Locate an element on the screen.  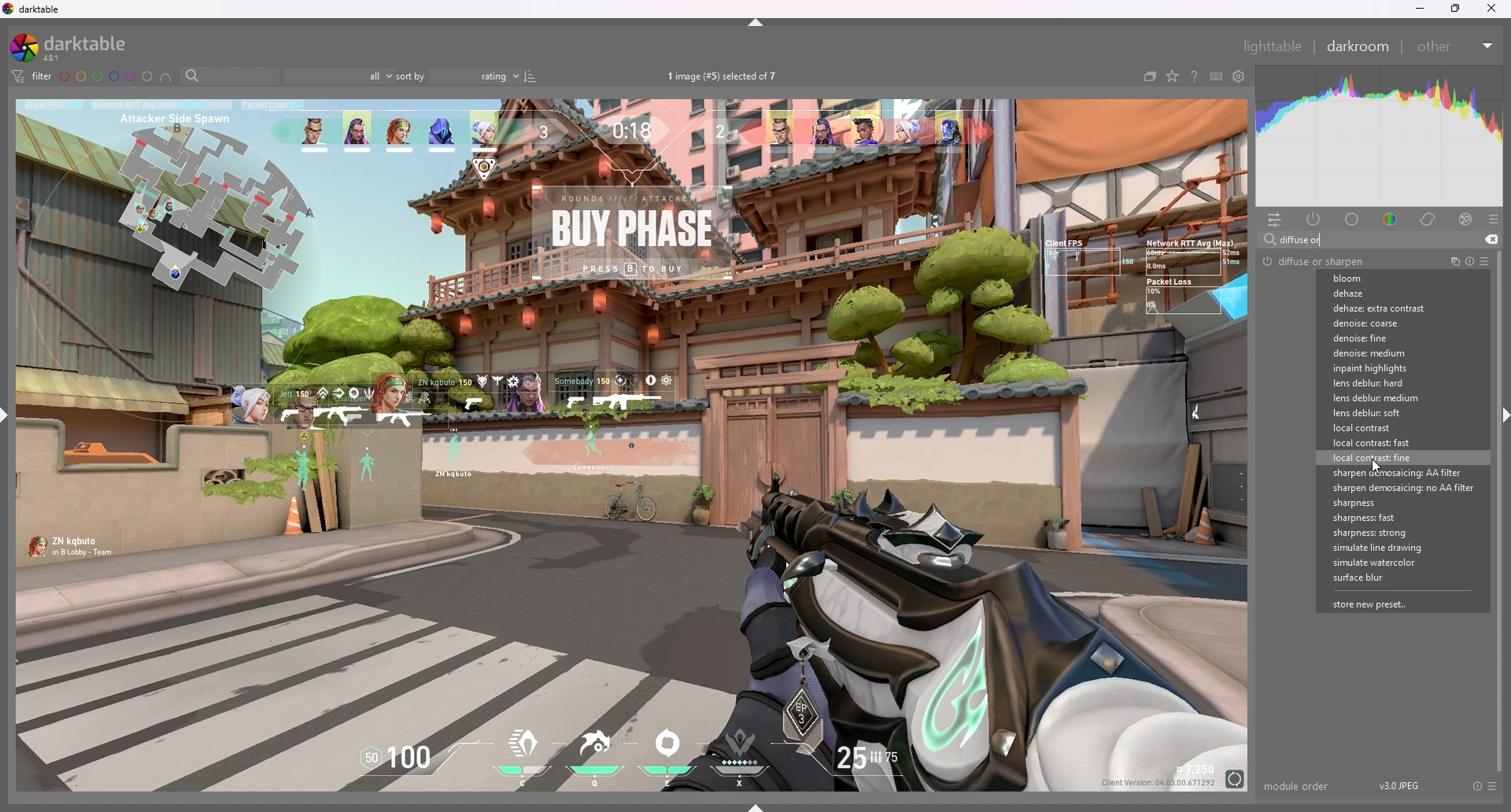
darktable is located at coordinates (35, 9).